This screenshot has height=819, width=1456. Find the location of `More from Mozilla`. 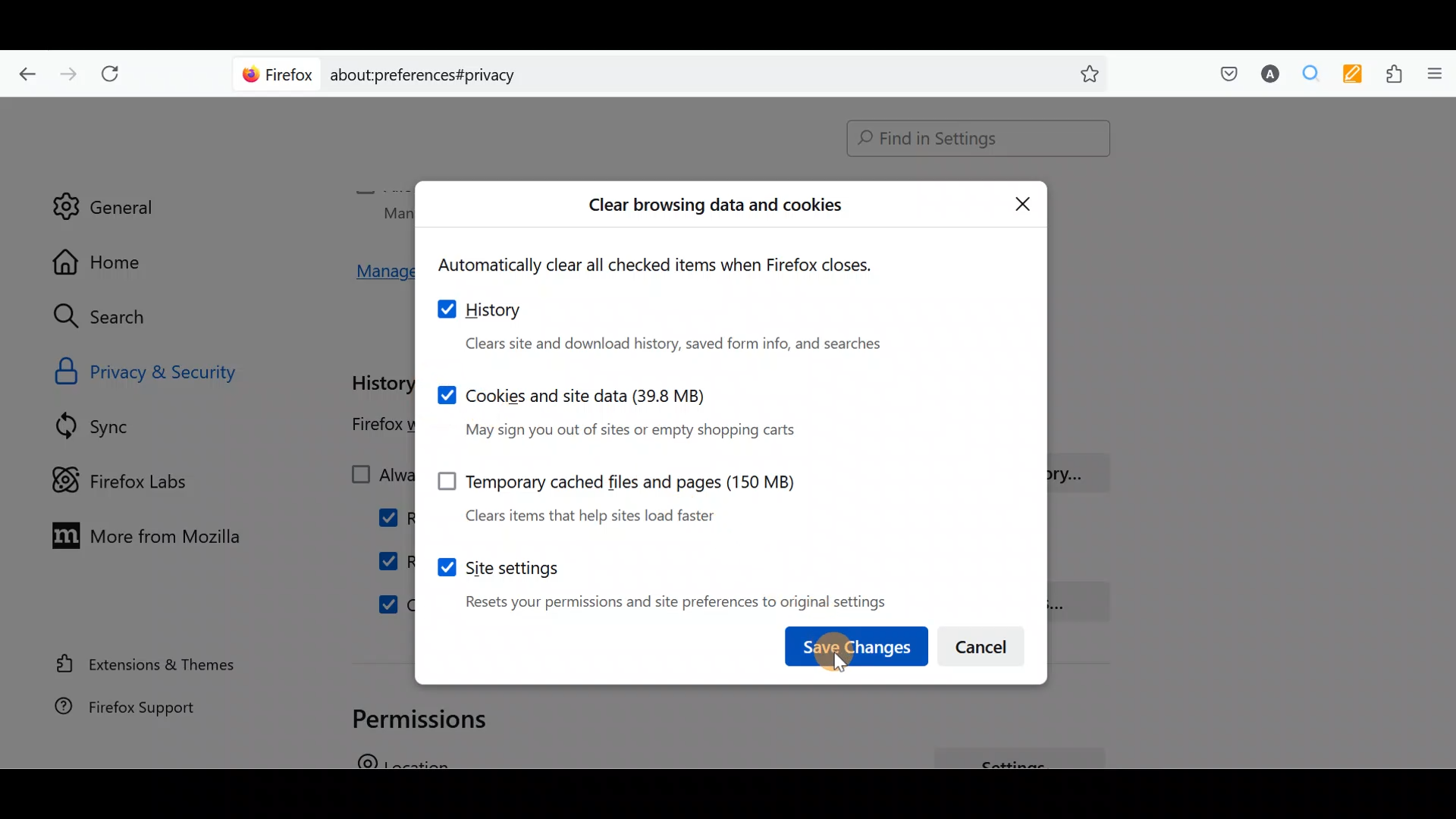

More from Mozilla is located at coordinates (139, 534).